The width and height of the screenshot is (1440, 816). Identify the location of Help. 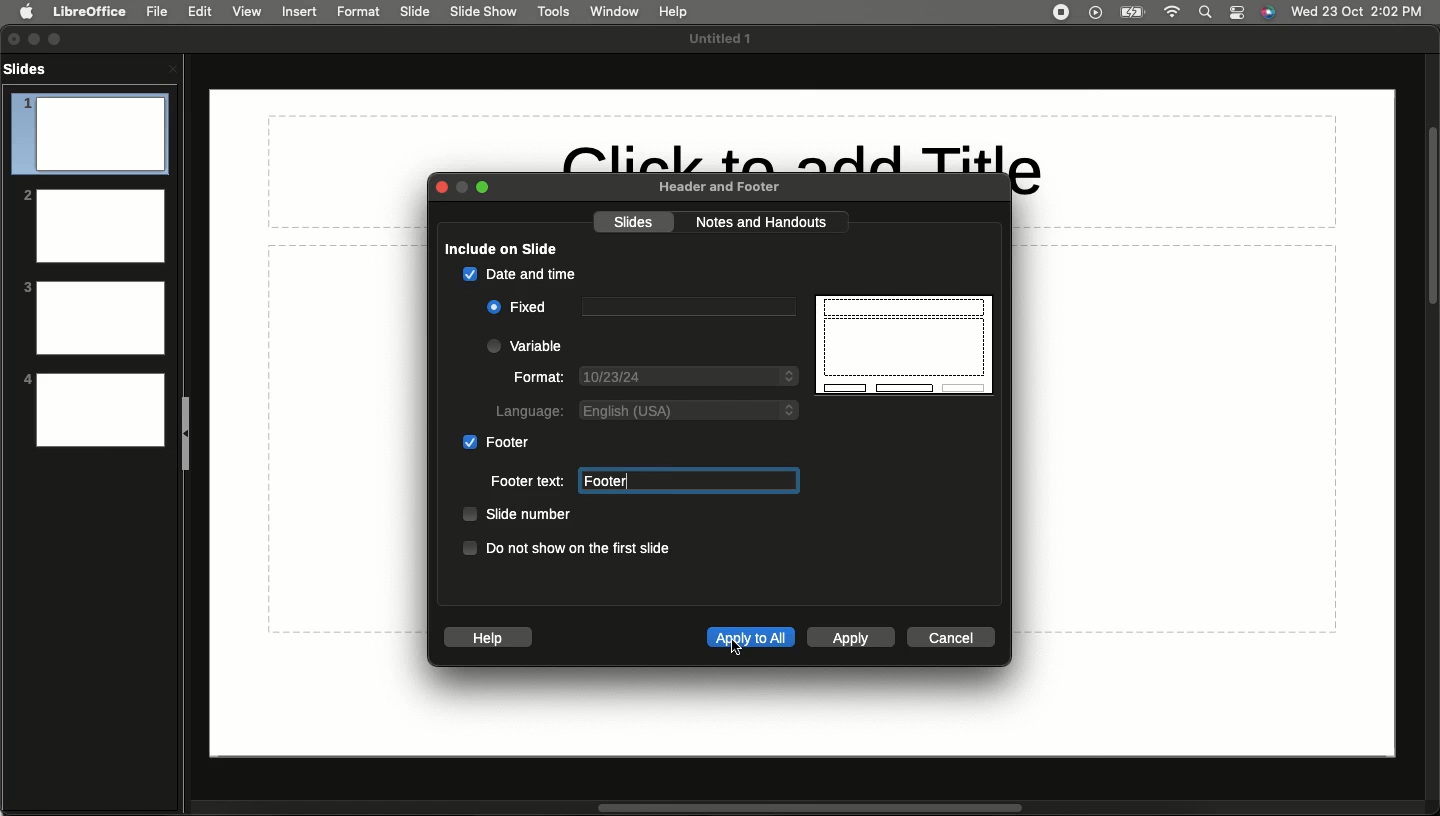
(486, 638).